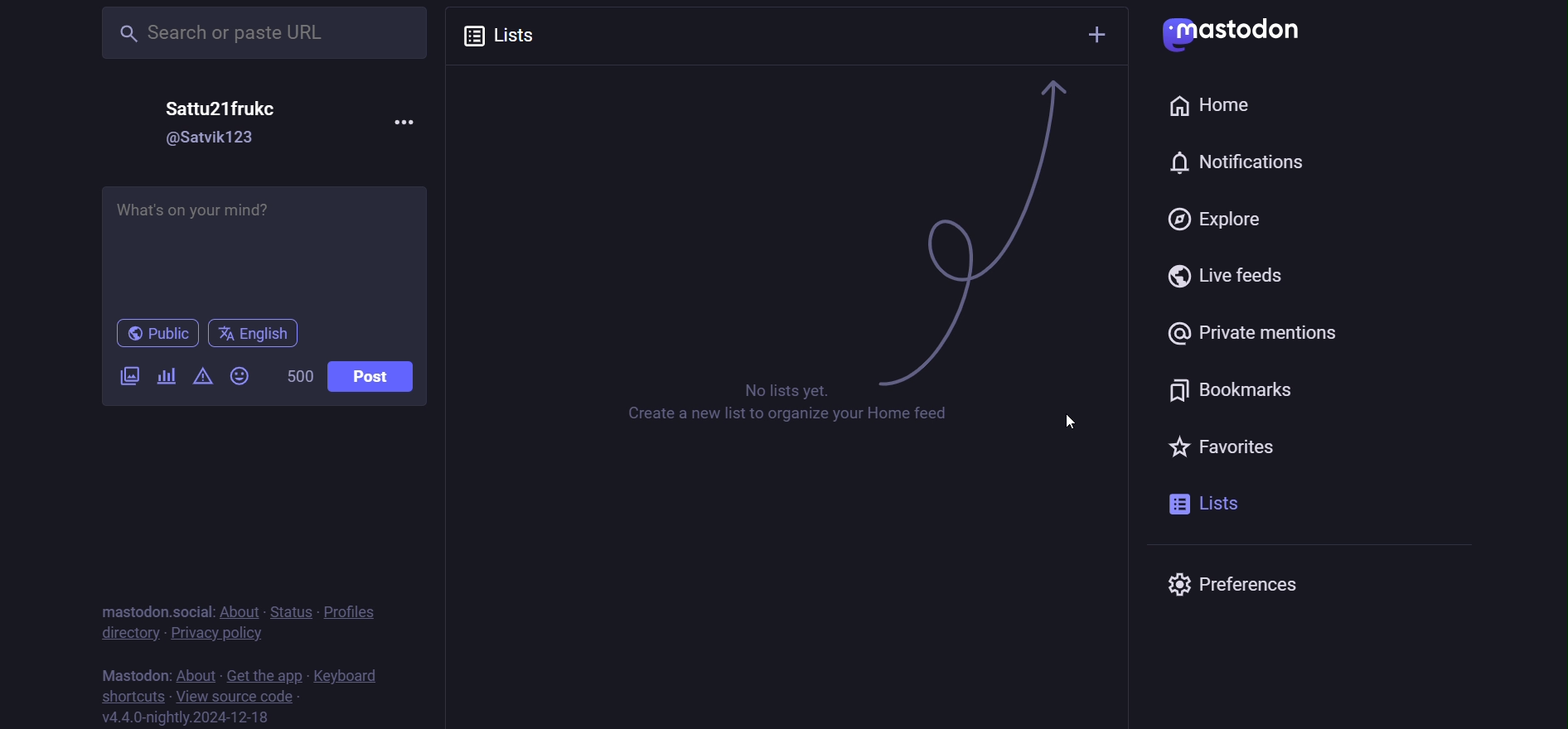  I want to click on mastodon, so click(136, 672).